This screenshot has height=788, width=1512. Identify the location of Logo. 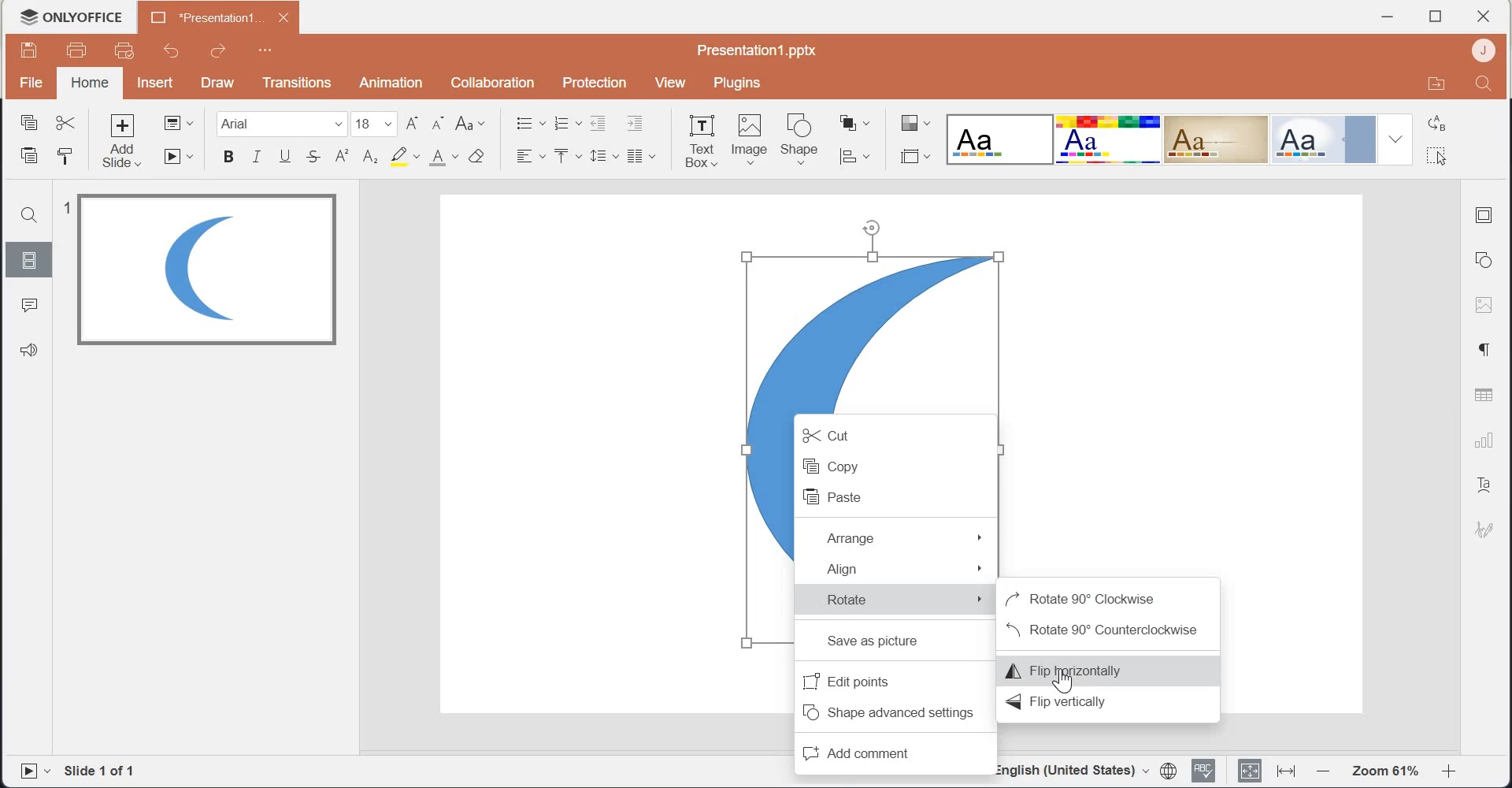
(70, 17).